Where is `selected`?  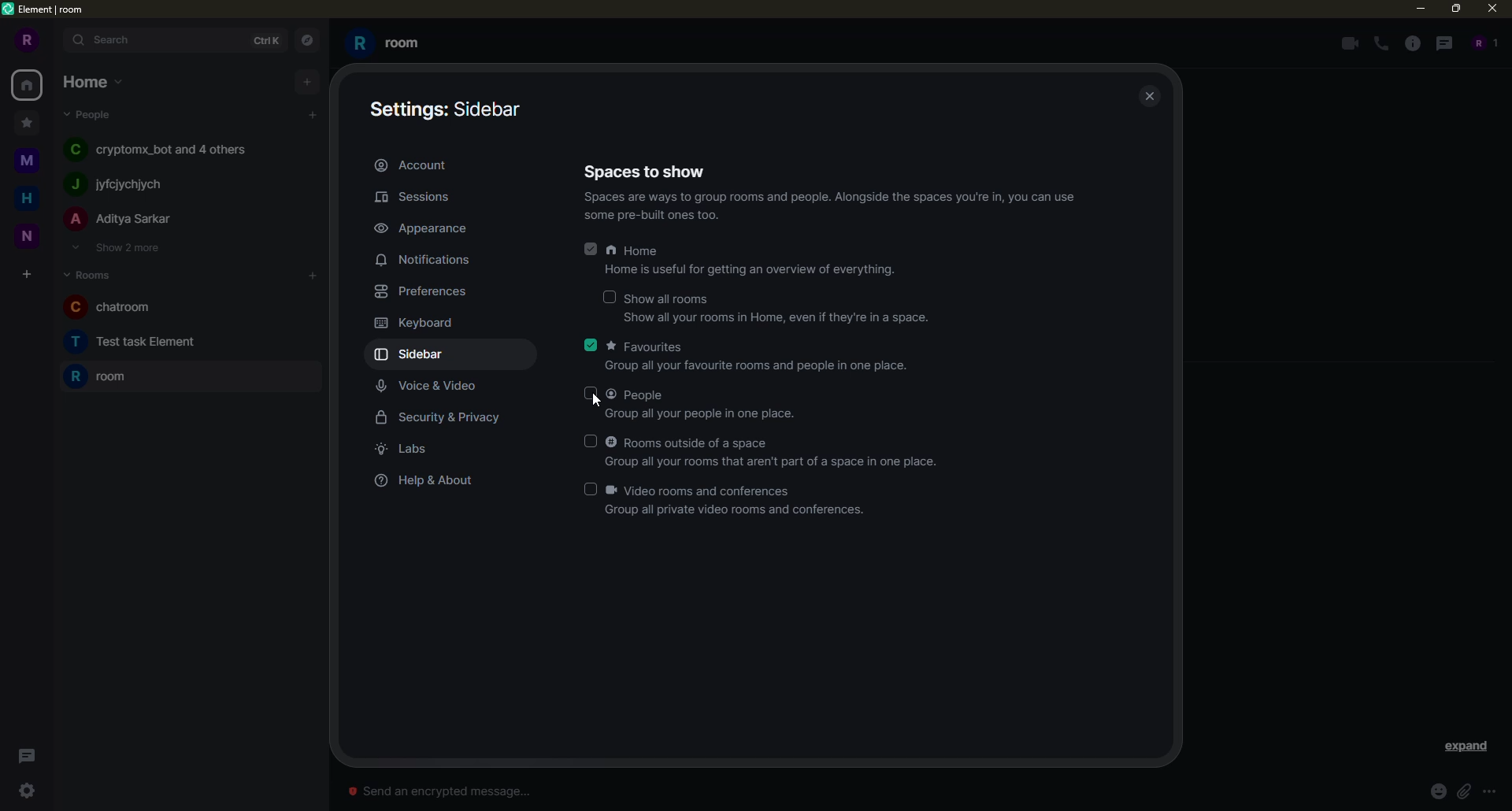 selected is located at coordinates (589, 250).